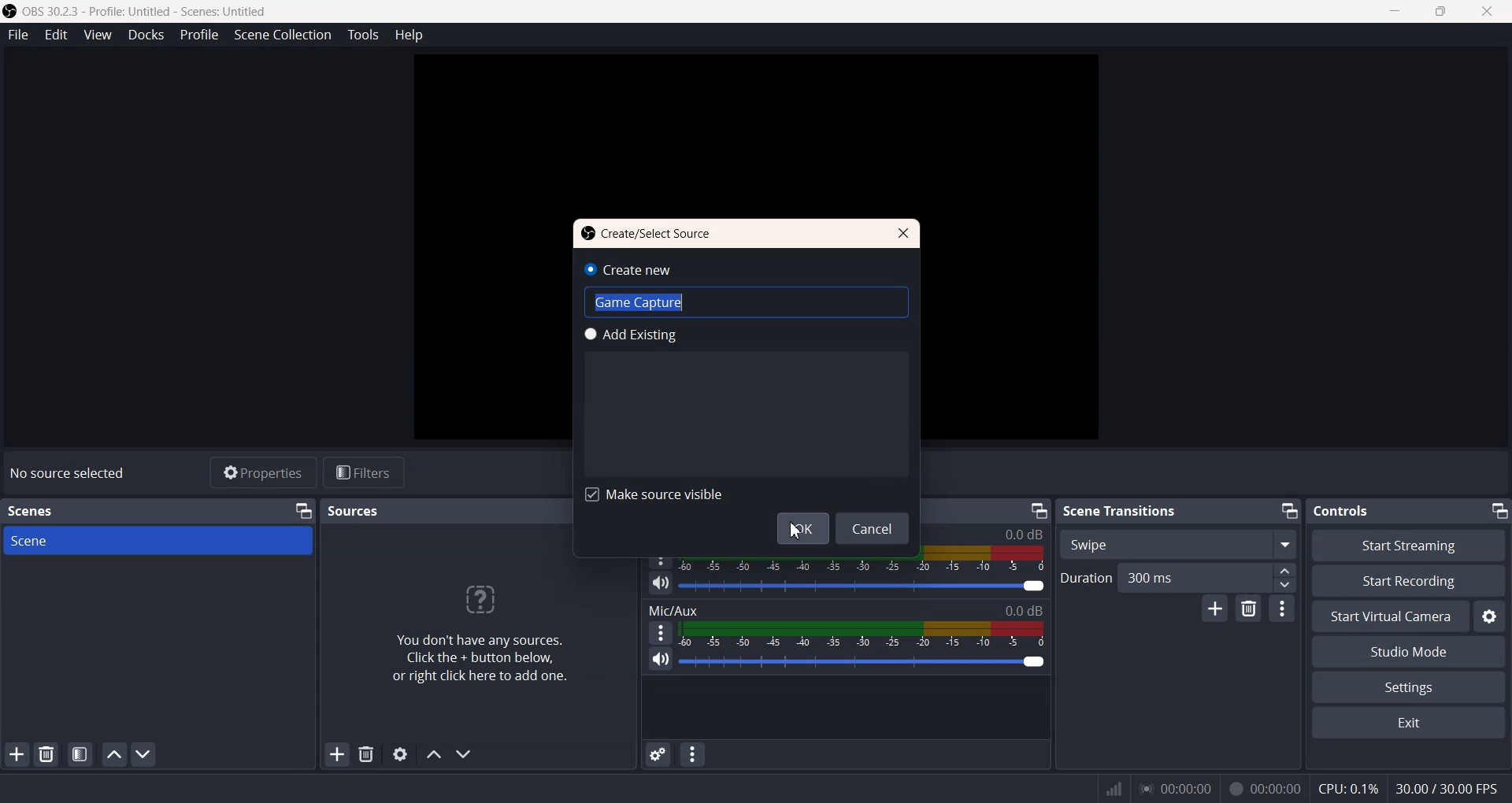 The image size is (1512, 803). I want to click on Advanced Audio properties, so click(657, 754).